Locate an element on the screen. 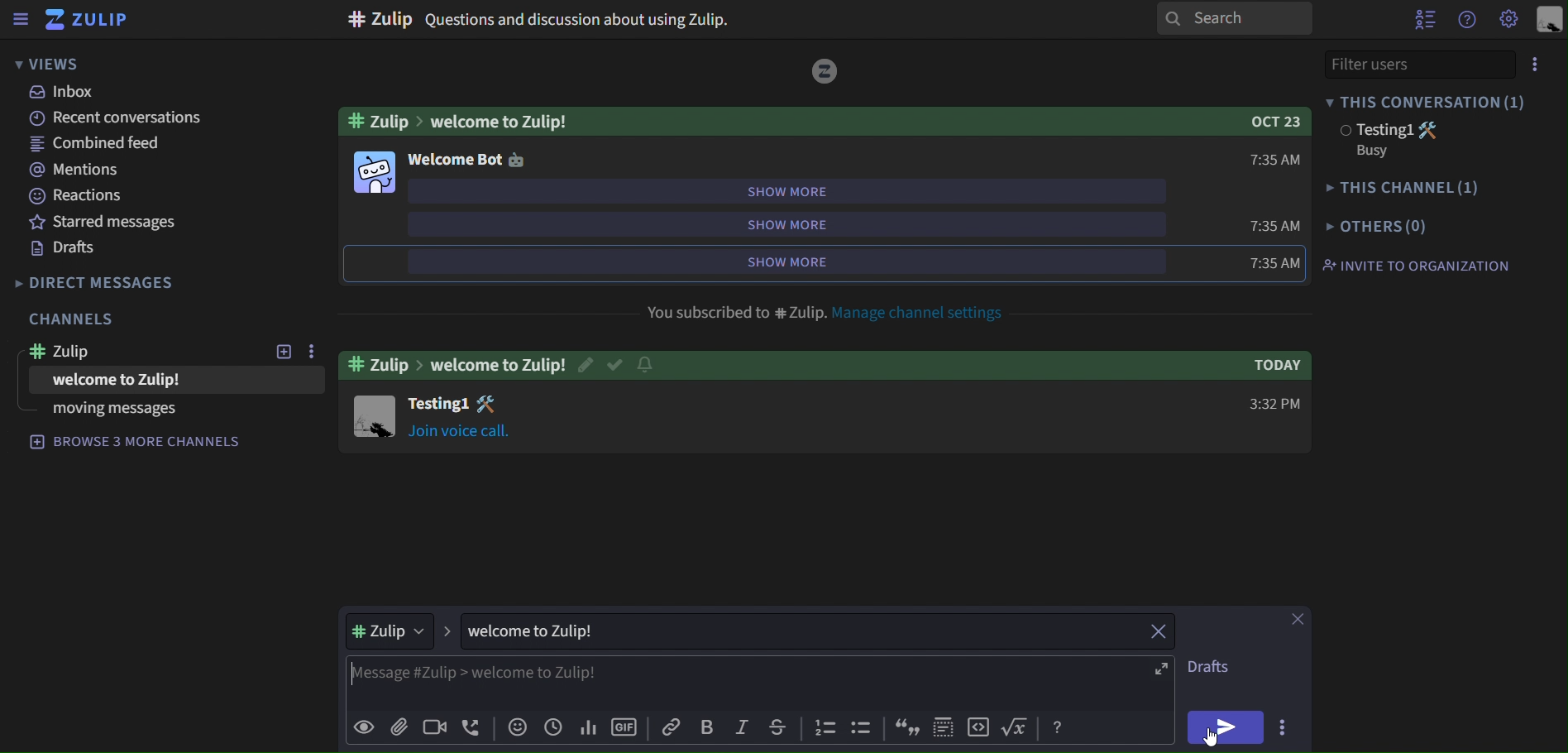 The height and width of the screenshot is (753, 1568). Message#Zulip>welcome to Zulip! is located at coordinates (676, 672).